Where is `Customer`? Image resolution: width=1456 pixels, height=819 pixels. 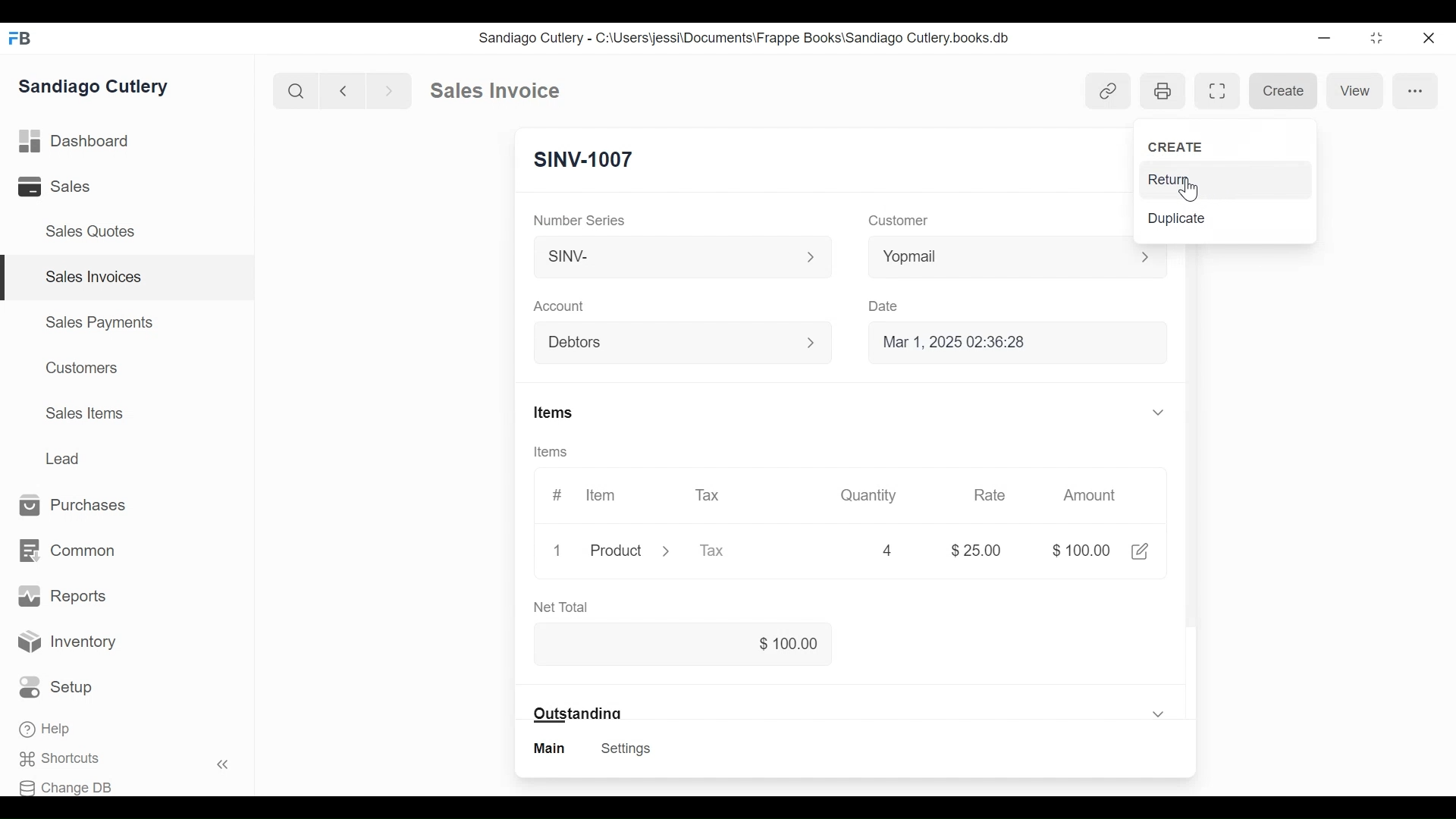 Customer is located at coordinates (901, 219).